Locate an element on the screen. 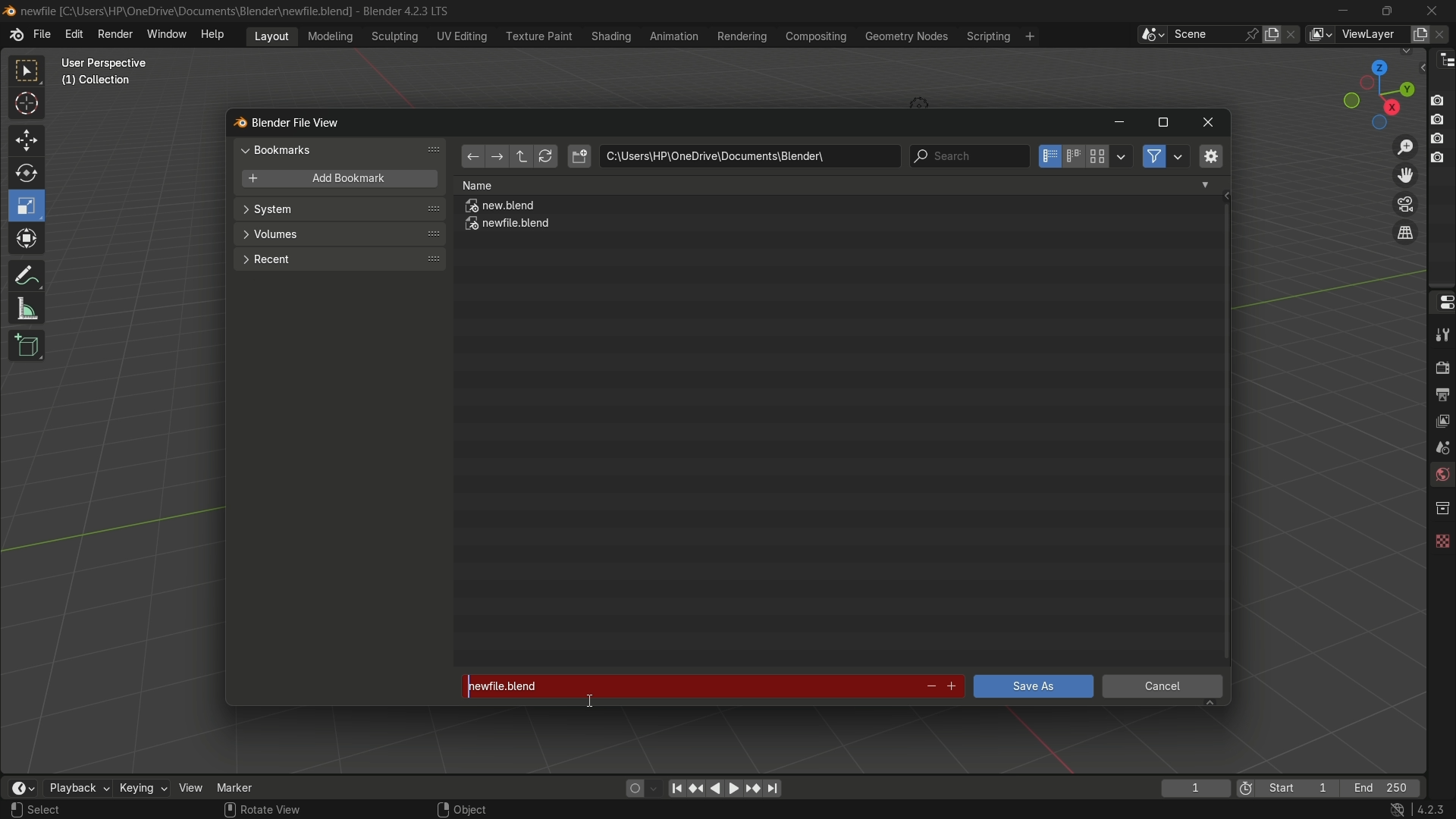  compositing menu is located at coordinates (817, 36).